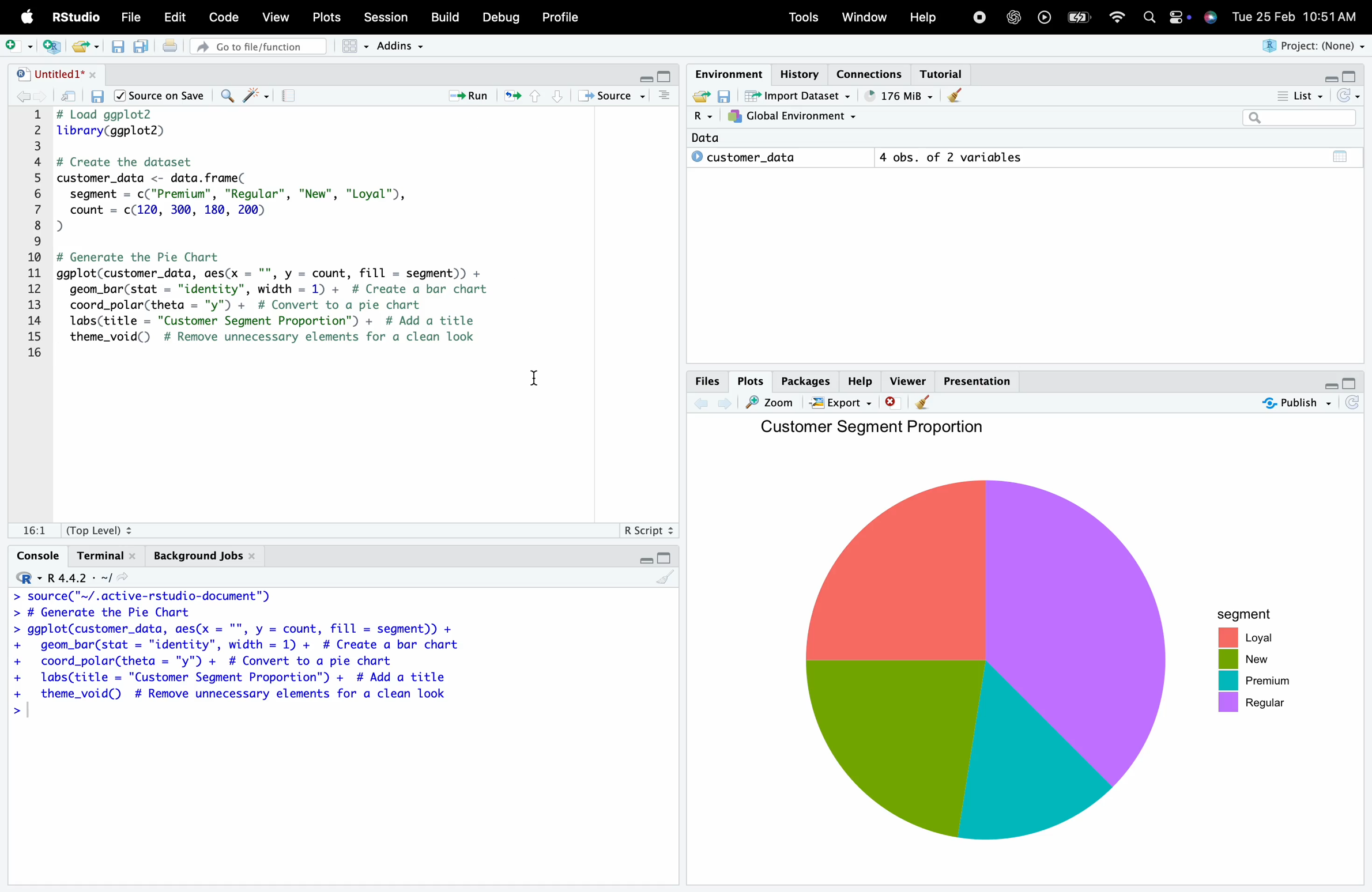  I want to click on minimise, so click(1327, 385).